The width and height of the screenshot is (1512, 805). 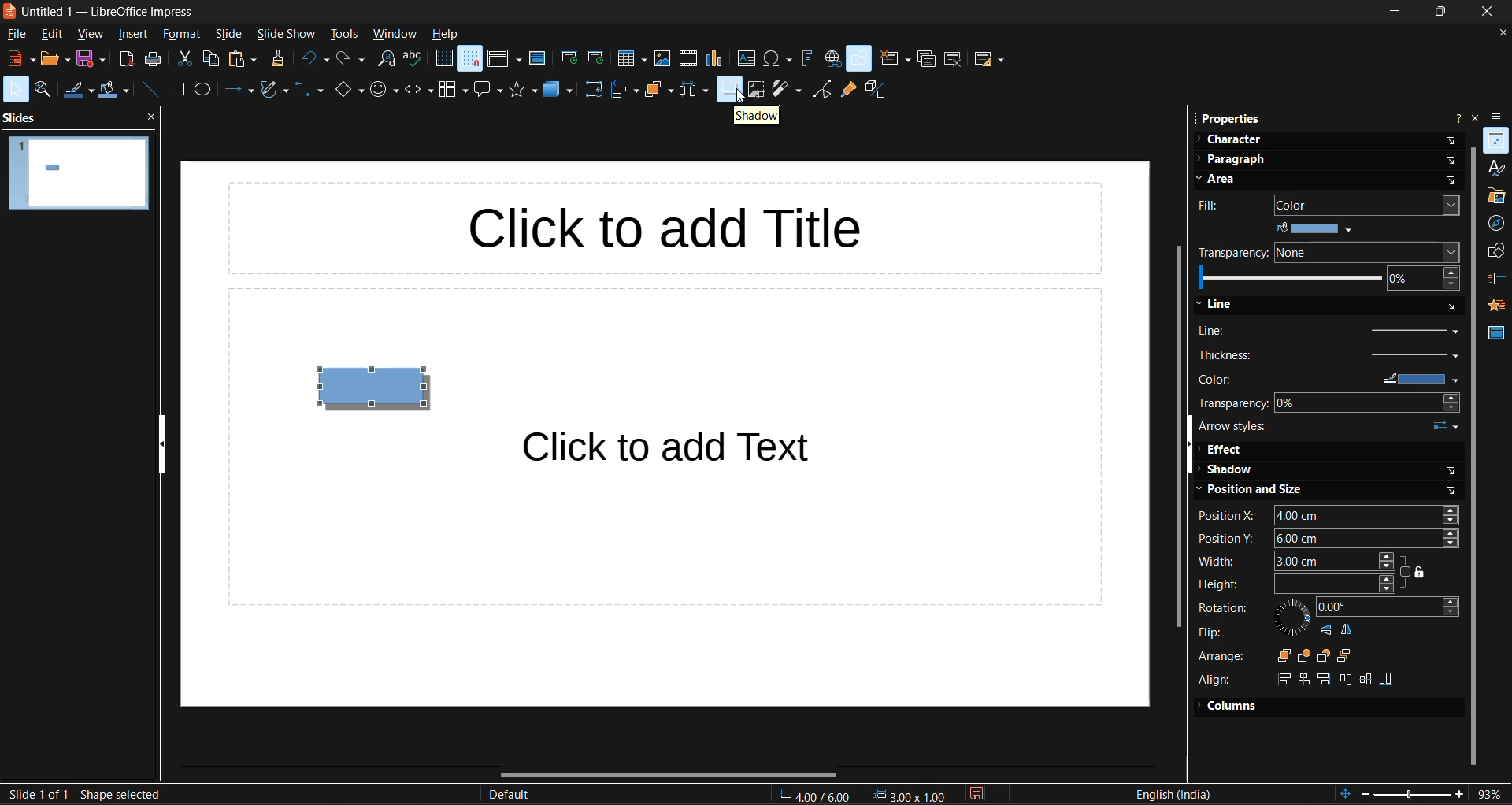 I want to click on save, so click(x=92, y=59).